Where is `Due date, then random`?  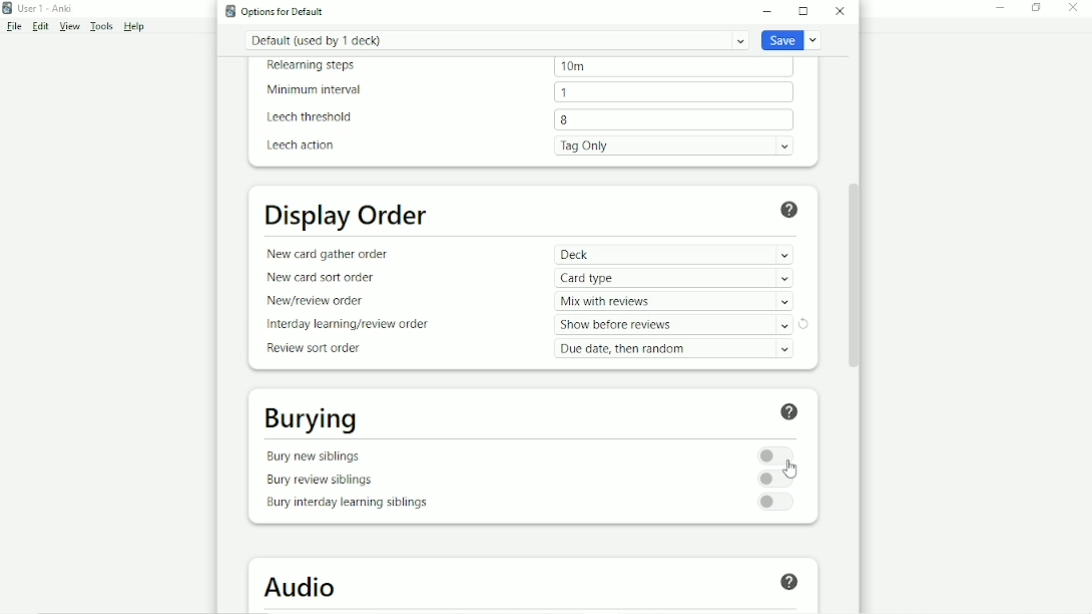 Due date, then random is located at coordinates (677, 349).